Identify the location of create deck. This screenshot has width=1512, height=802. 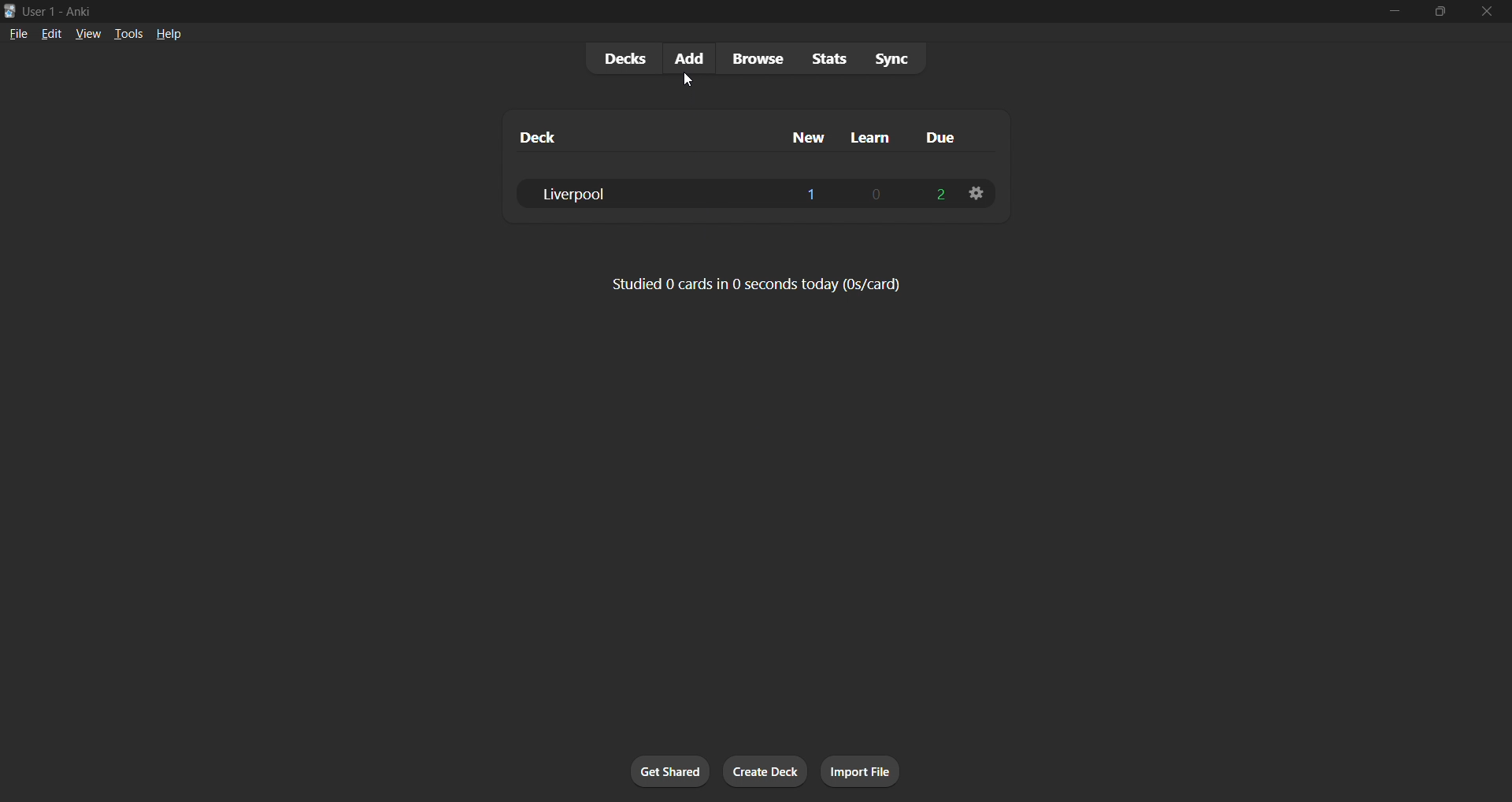
(765, 771).